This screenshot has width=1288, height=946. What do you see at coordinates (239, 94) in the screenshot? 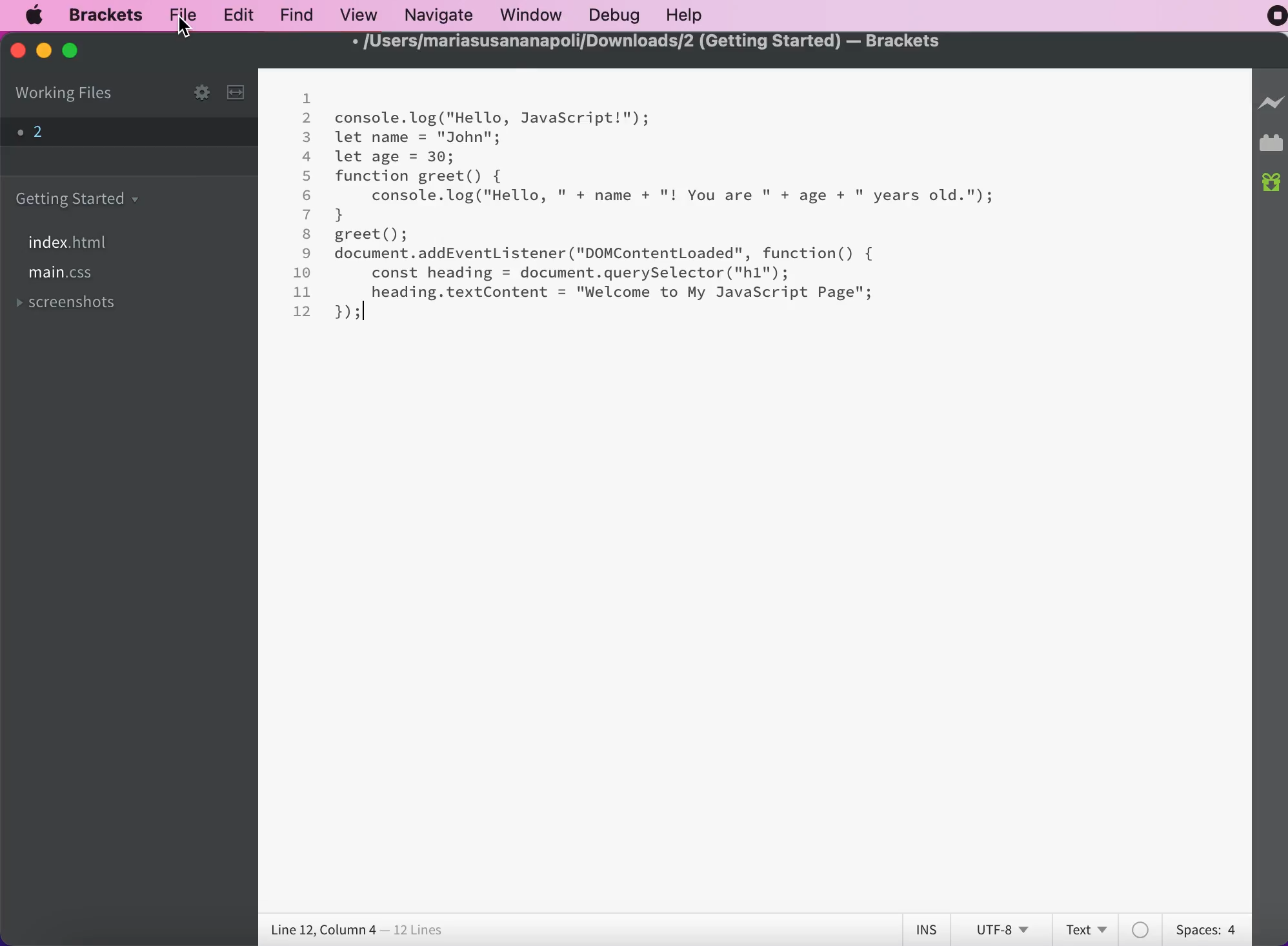
I see `split the editor vertically or horizontally` at bounding box center [239, 94].